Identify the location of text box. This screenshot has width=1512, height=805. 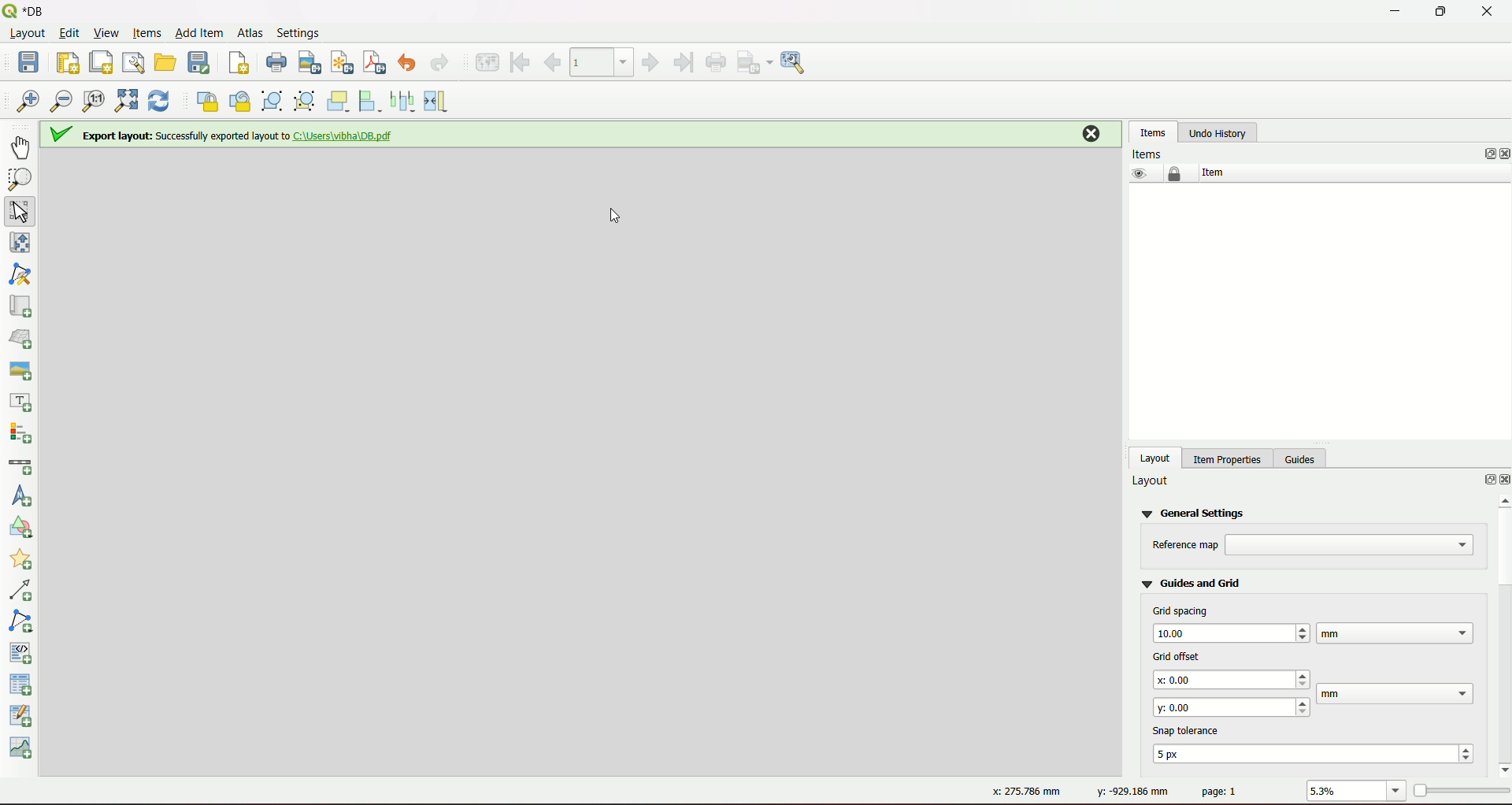
(1351, 545).